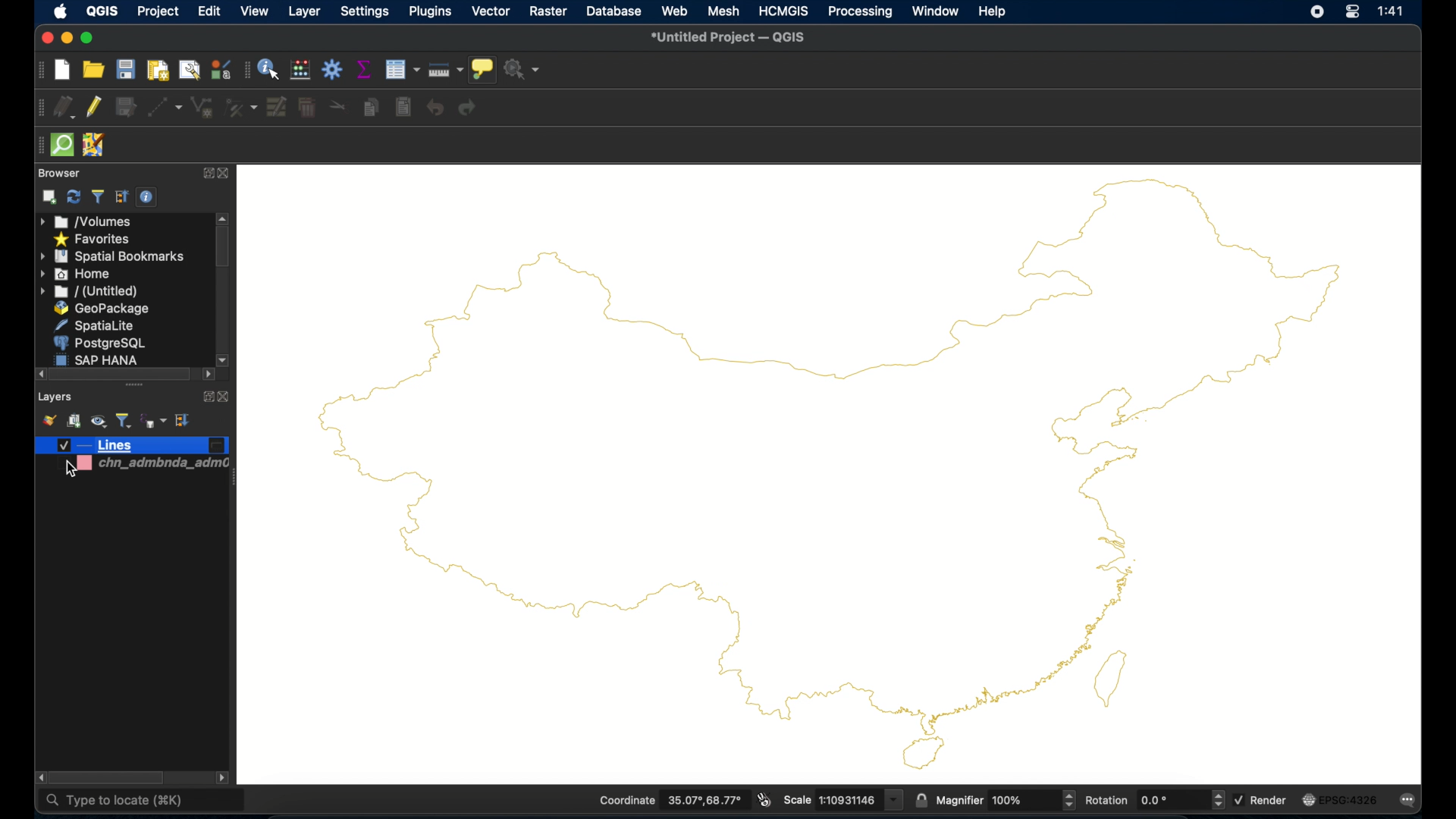  I want to click on save project, so click(125, 69).